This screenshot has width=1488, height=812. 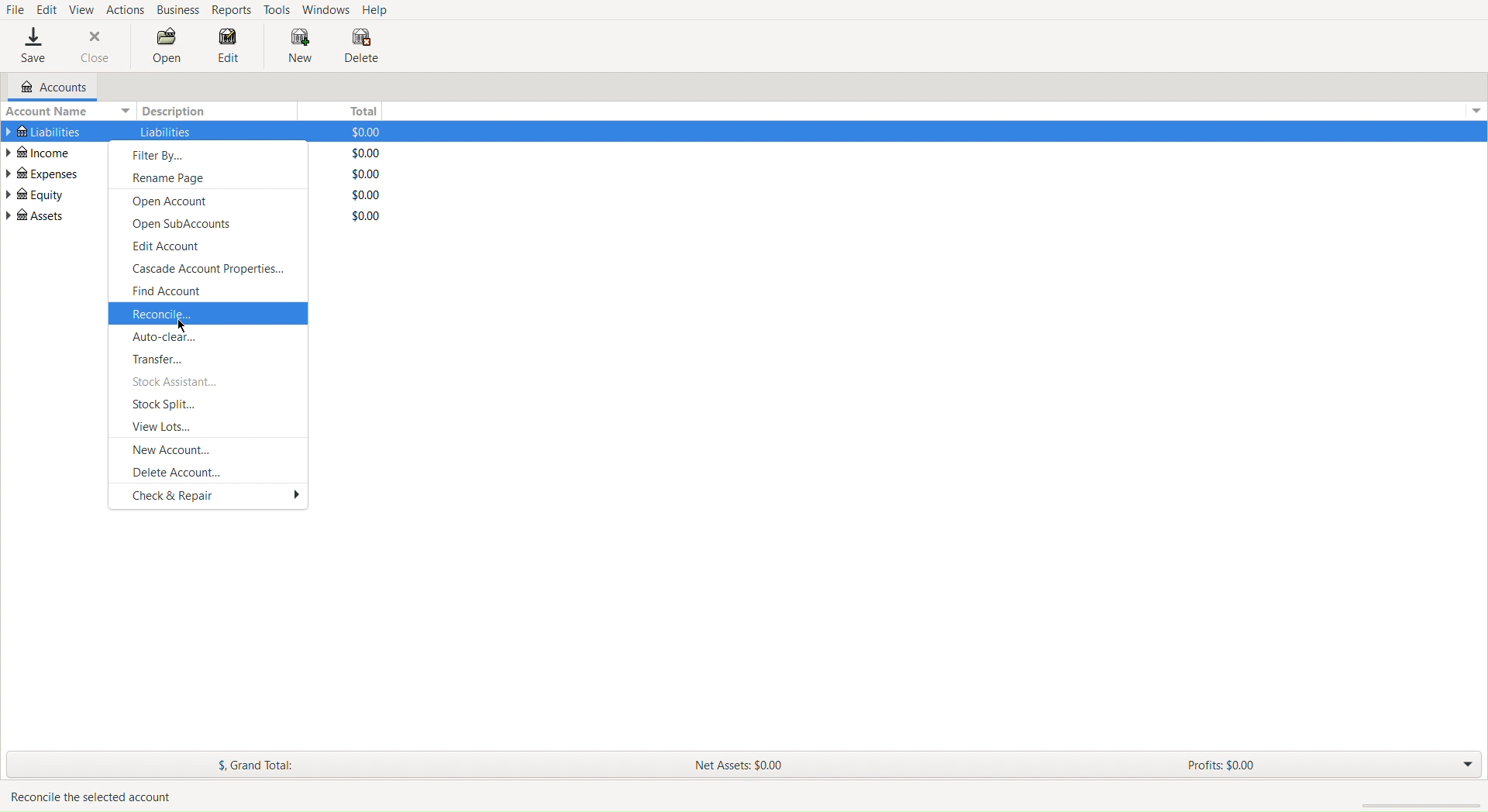 I want to click on Filter By, so click(x=208, y=154).